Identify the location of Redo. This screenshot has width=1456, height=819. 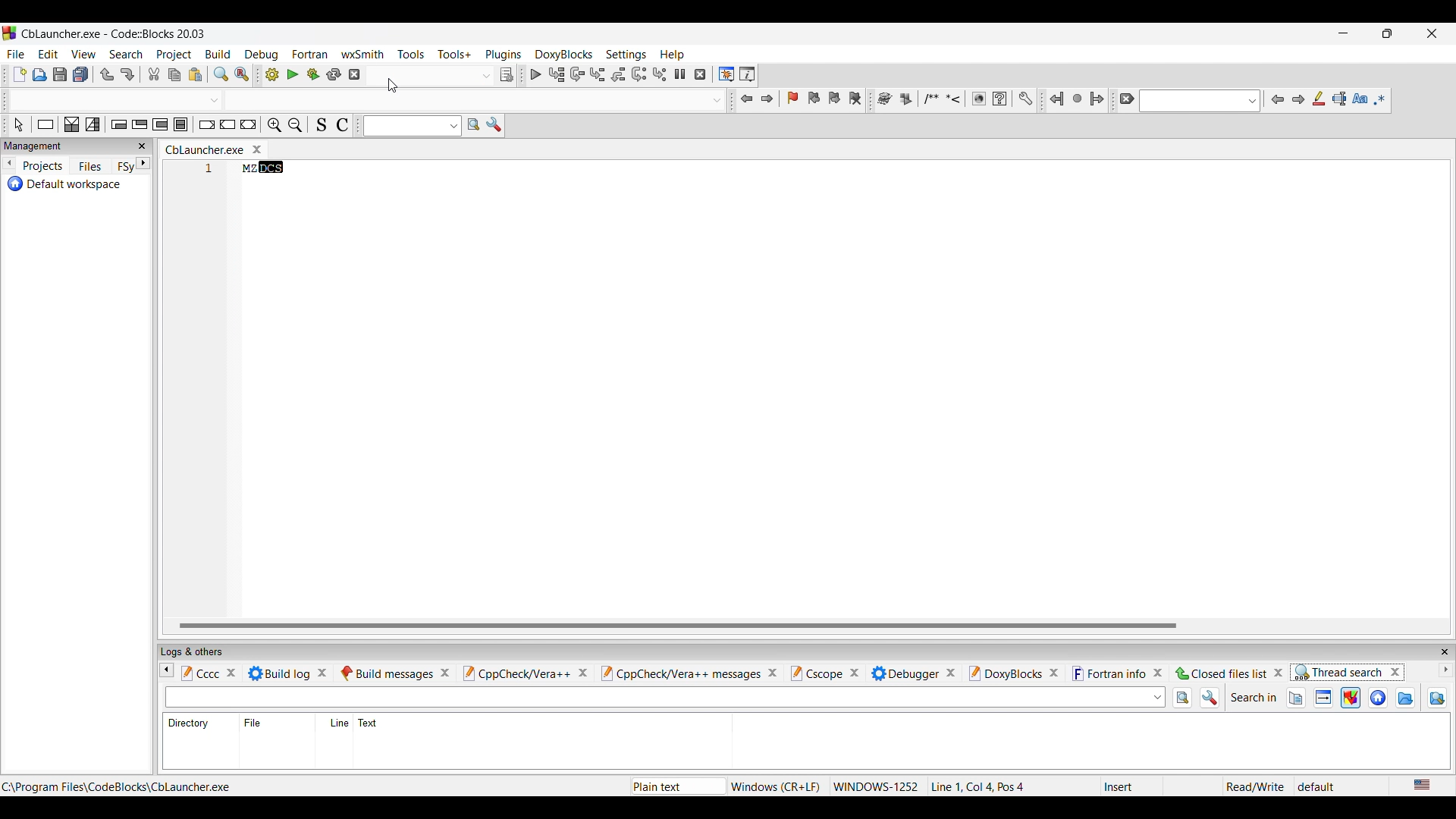
(127, 74).